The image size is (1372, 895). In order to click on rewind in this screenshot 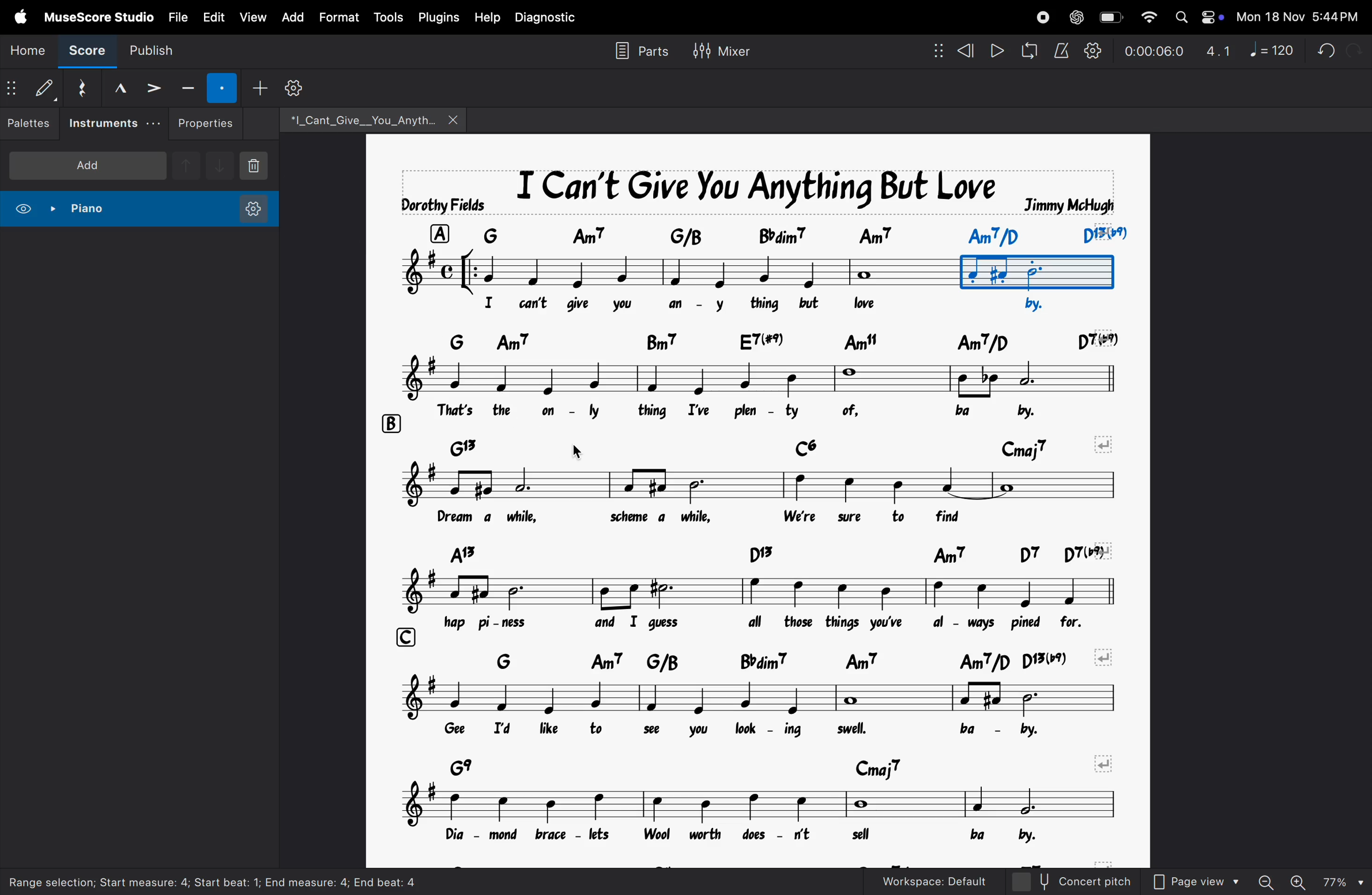, I will do `click(955, 51)`.